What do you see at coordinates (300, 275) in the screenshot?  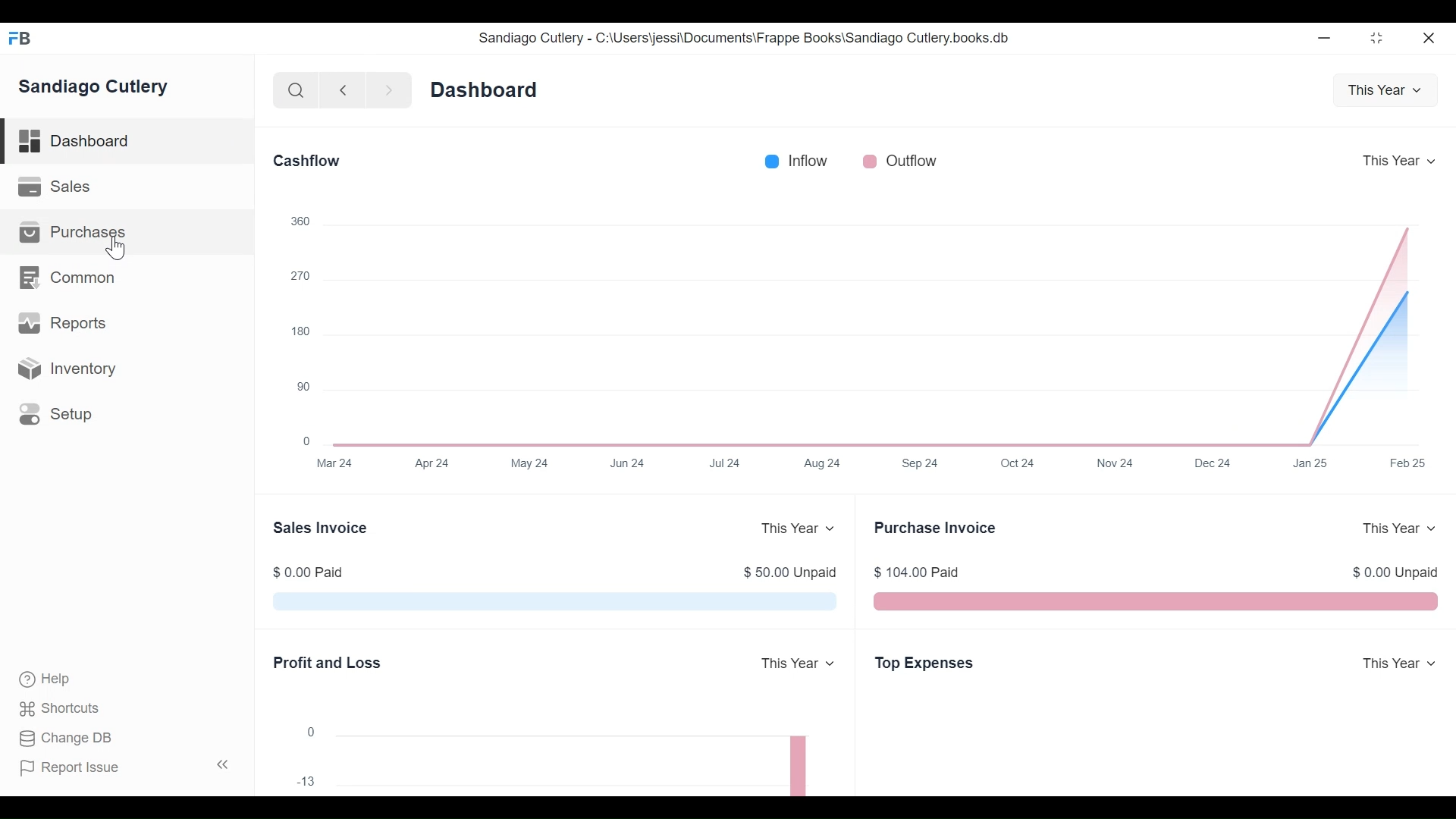 I see `270` at bounding box center [300, 275].